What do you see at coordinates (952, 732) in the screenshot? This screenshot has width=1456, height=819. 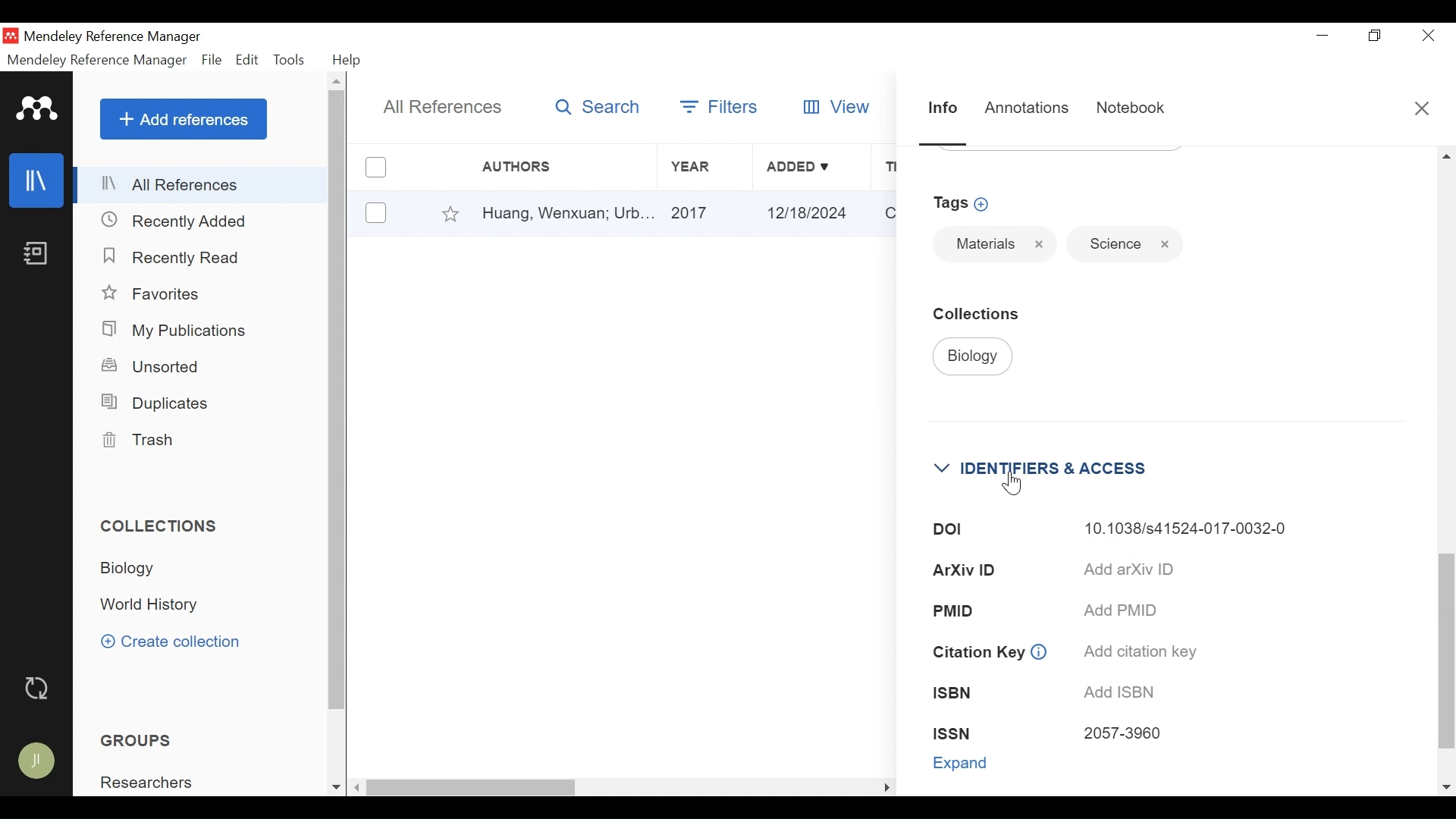 I see `ISSN` at bounding box center [952, 732].